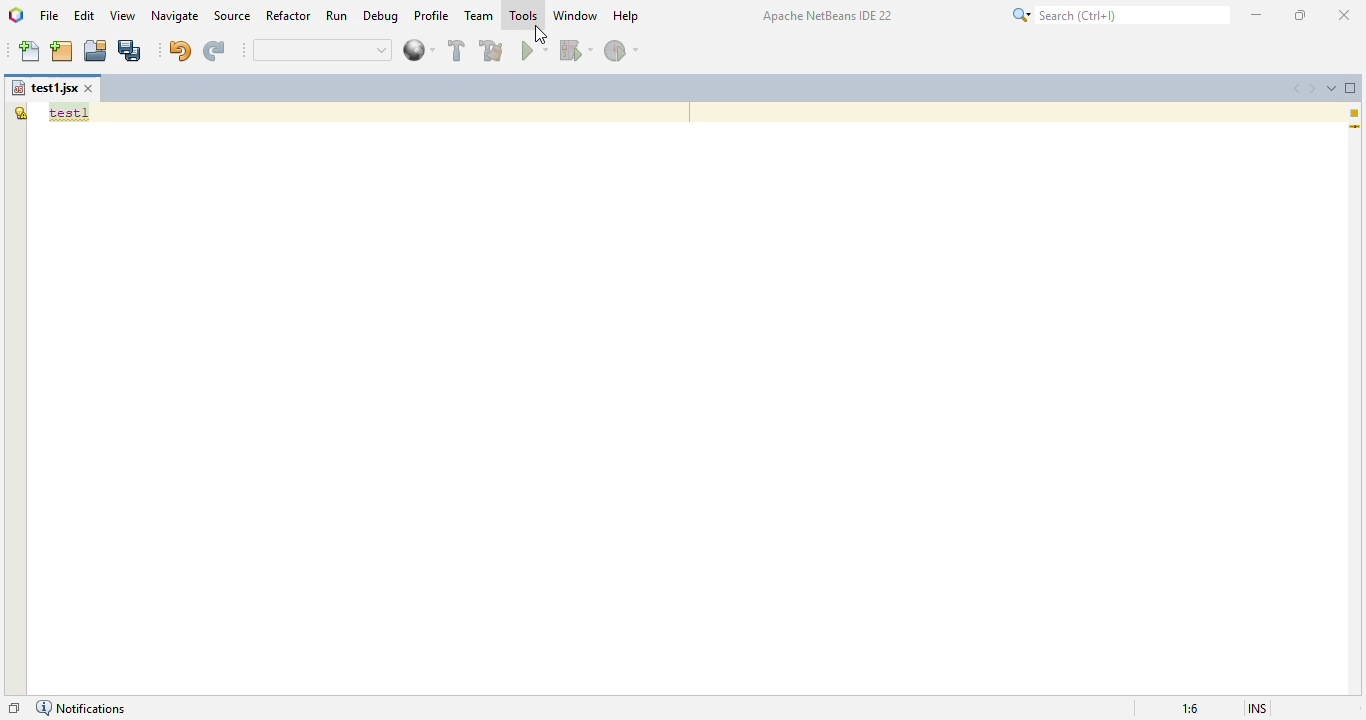 The height and width of the screenshot is (720, 1366). Describe the element at coordinates (1332, 88) in the screenshot. I see `show opened documents list` at that location.